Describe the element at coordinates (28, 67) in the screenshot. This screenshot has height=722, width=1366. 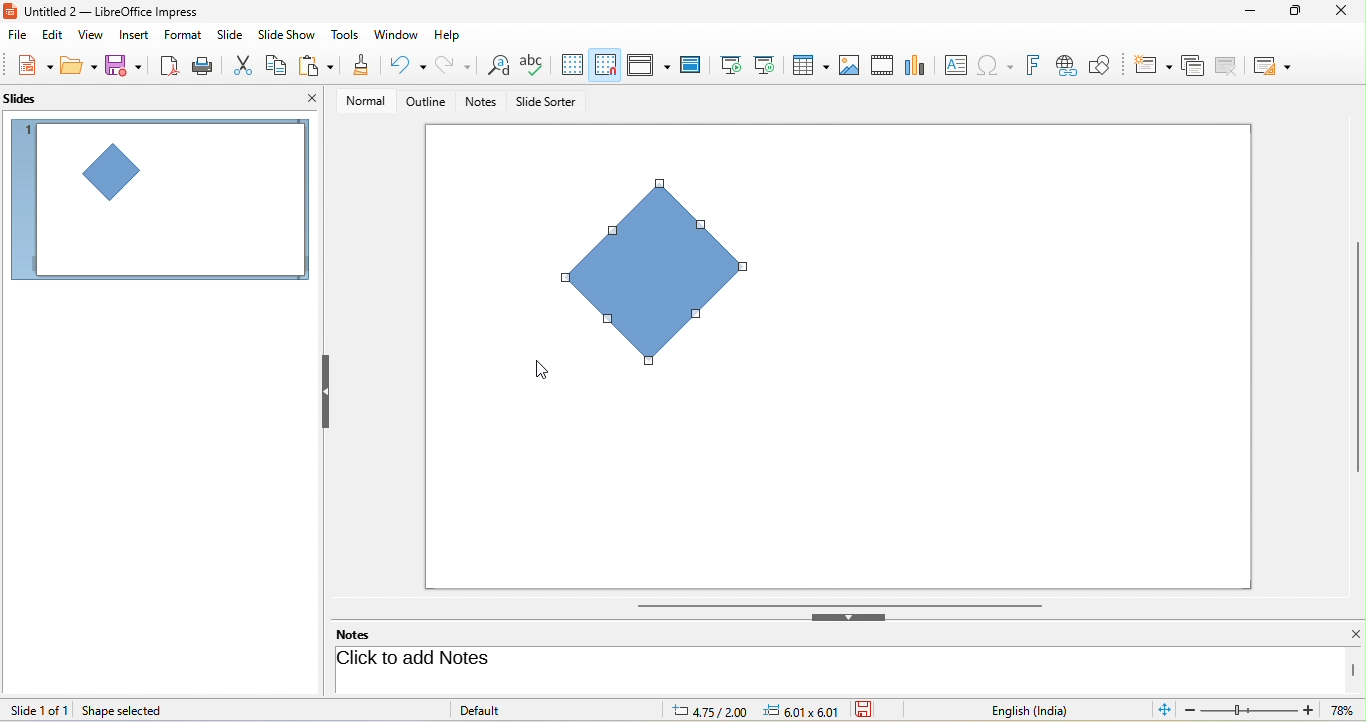
I see `new` at that location.